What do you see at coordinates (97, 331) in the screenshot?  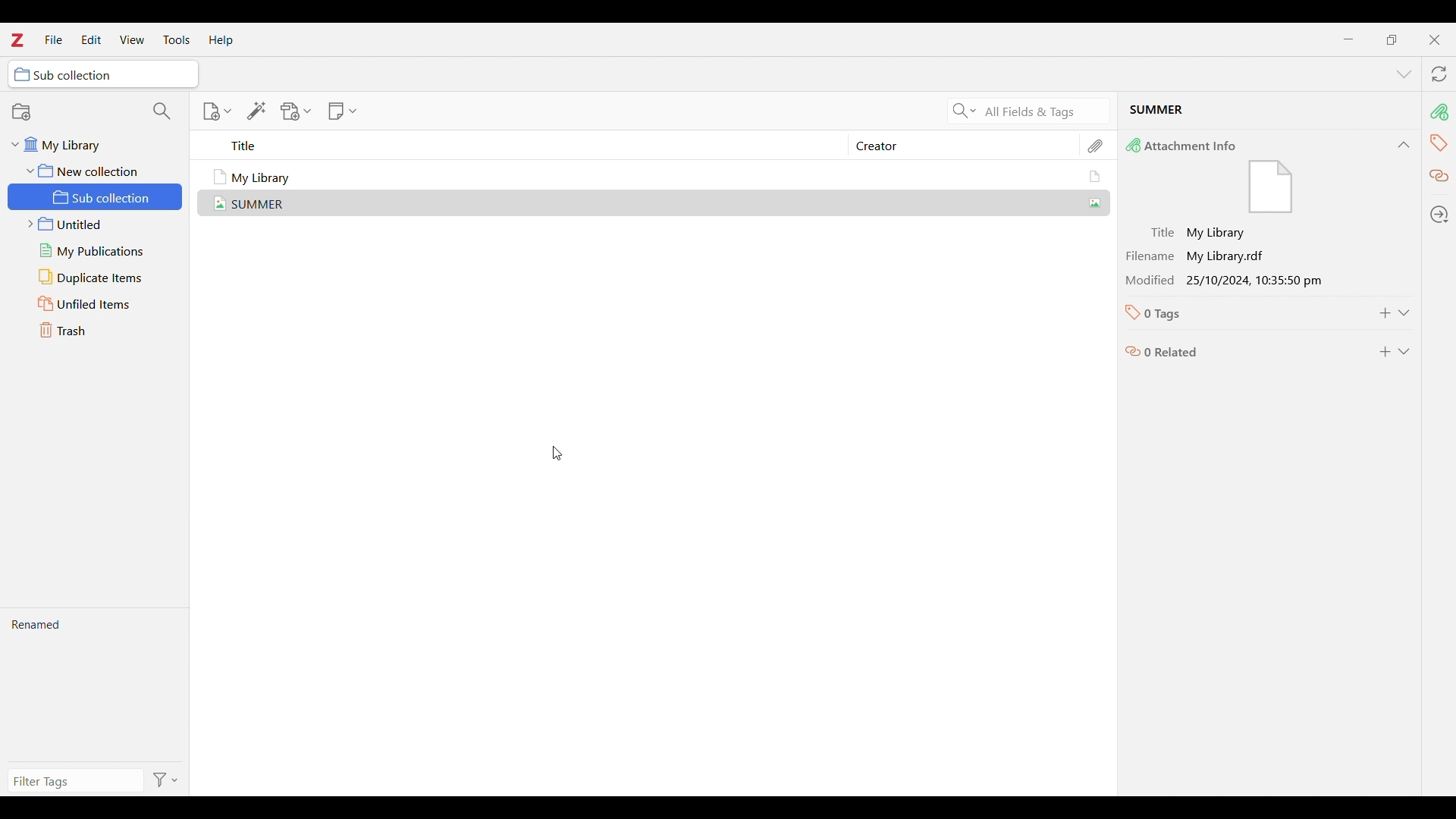 I see `Trash` at bounding box center [97, 331].